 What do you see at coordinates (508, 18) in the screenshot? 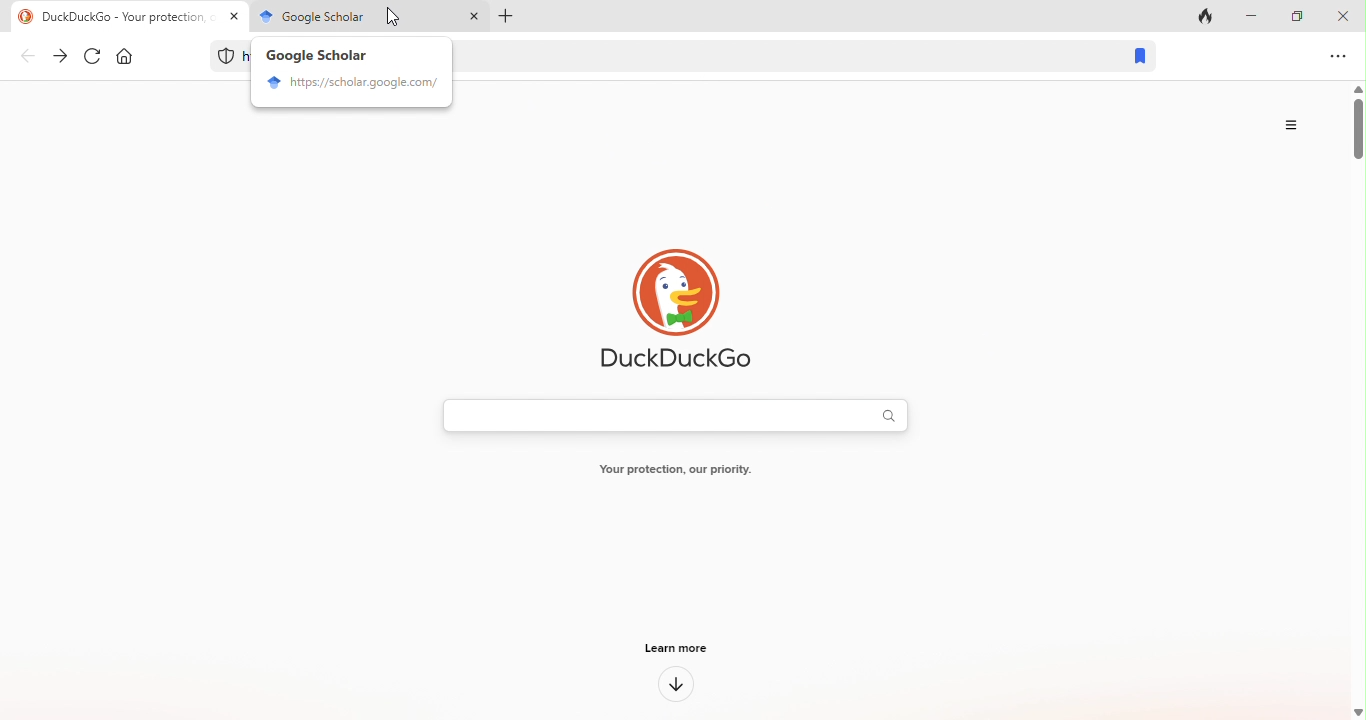
I see `add tab` at bounding box center [508, 18].